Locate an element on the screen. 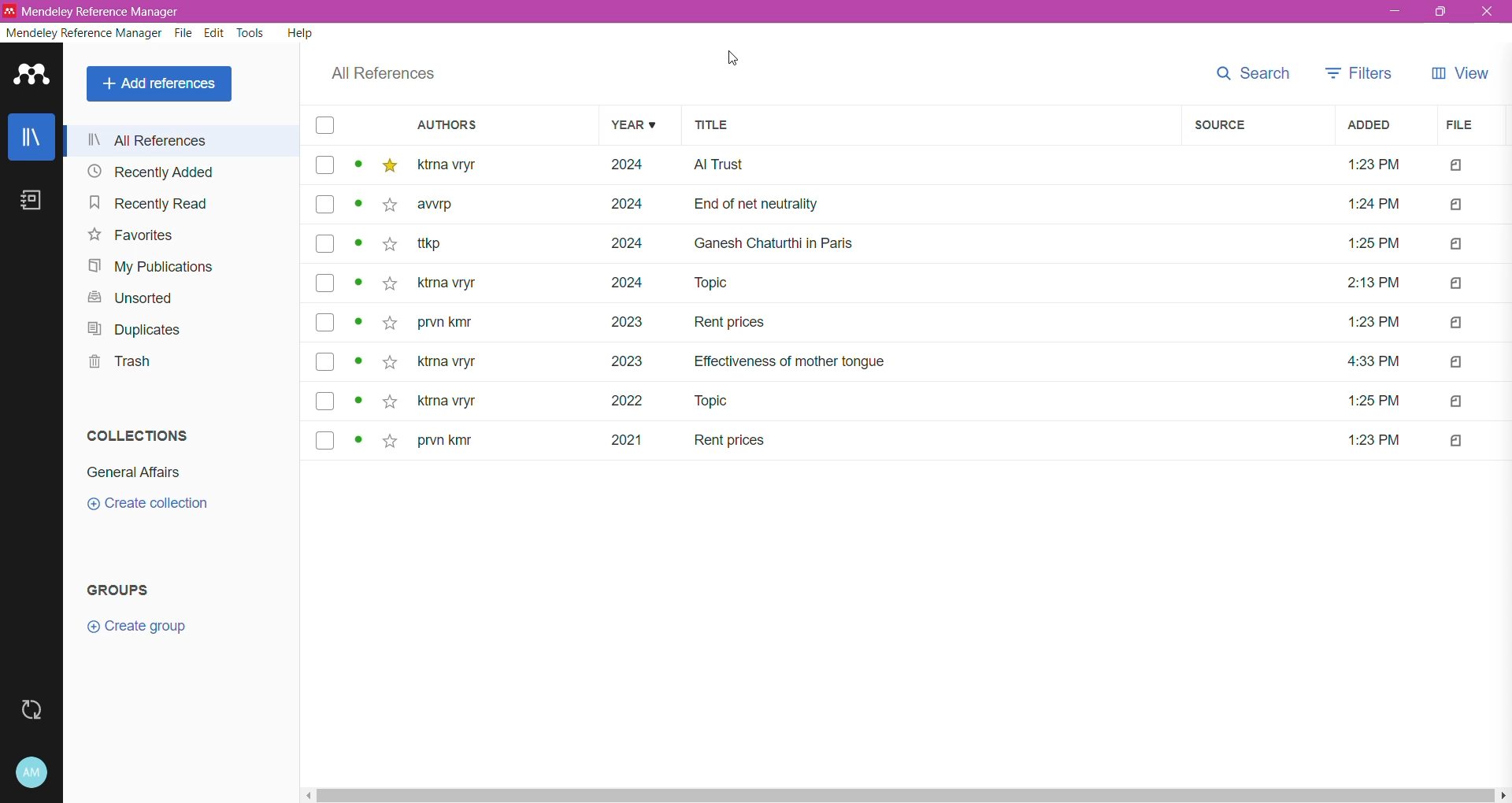 The width and height of the screenshot is (1512, 803). unread is located at coordinates (358, 398).